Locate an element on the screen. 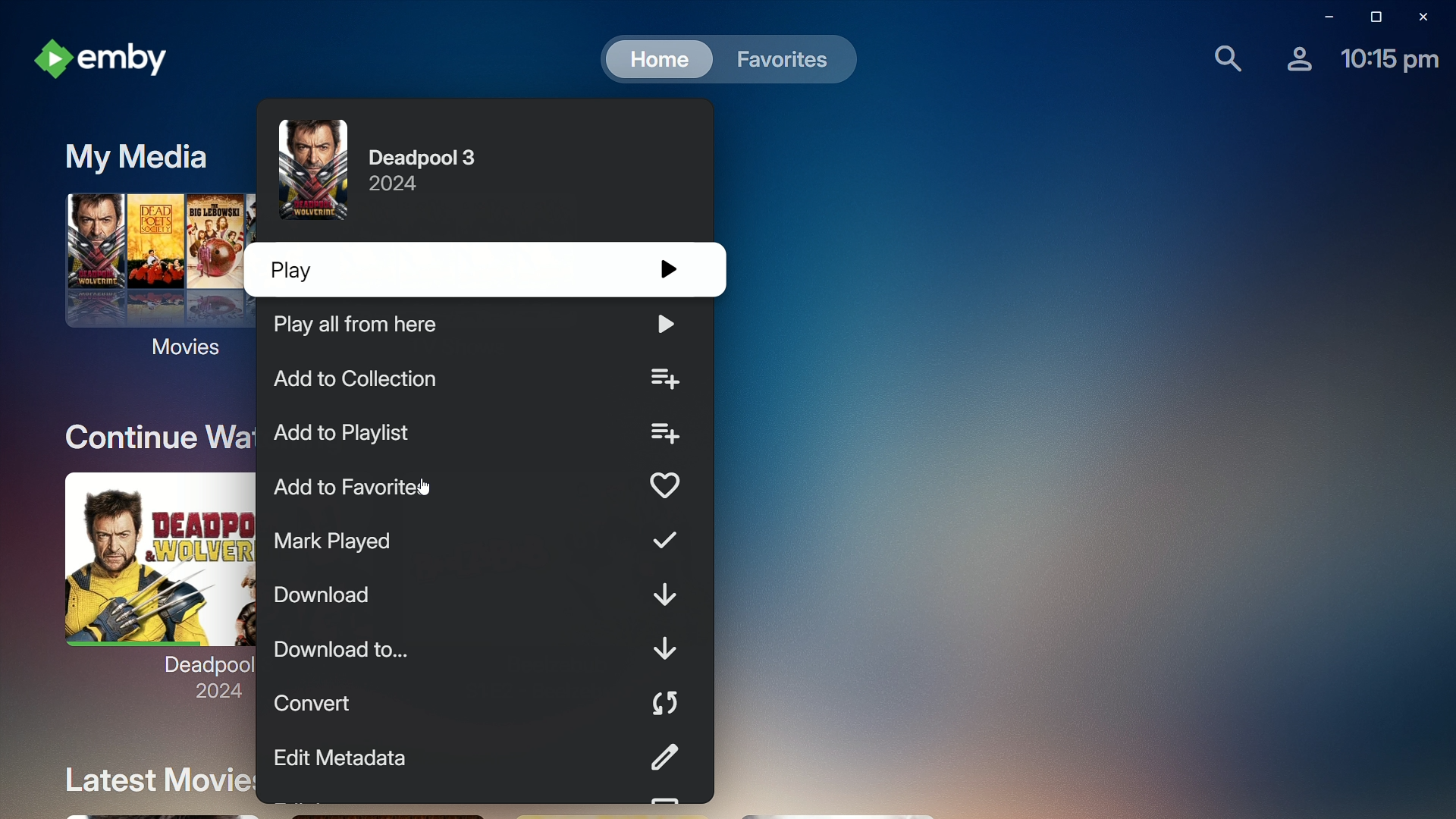 The image size is (1456, 819). Add to collection is located at coordinates (483, 378).